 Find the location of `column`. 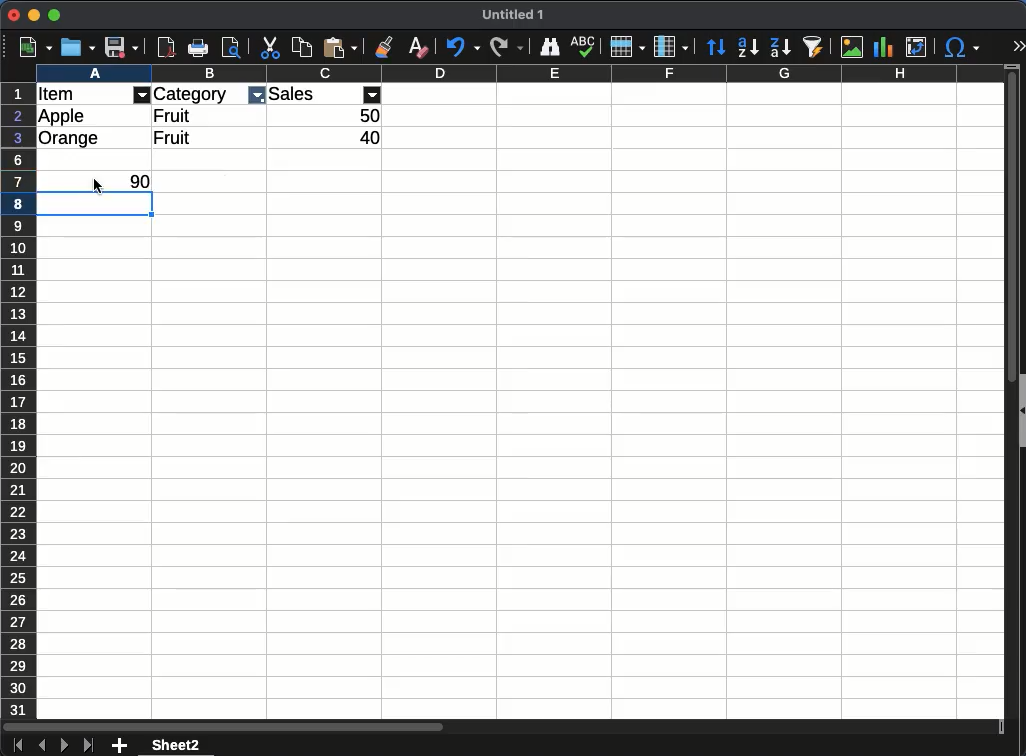

column is located at coordinates (519, 74).